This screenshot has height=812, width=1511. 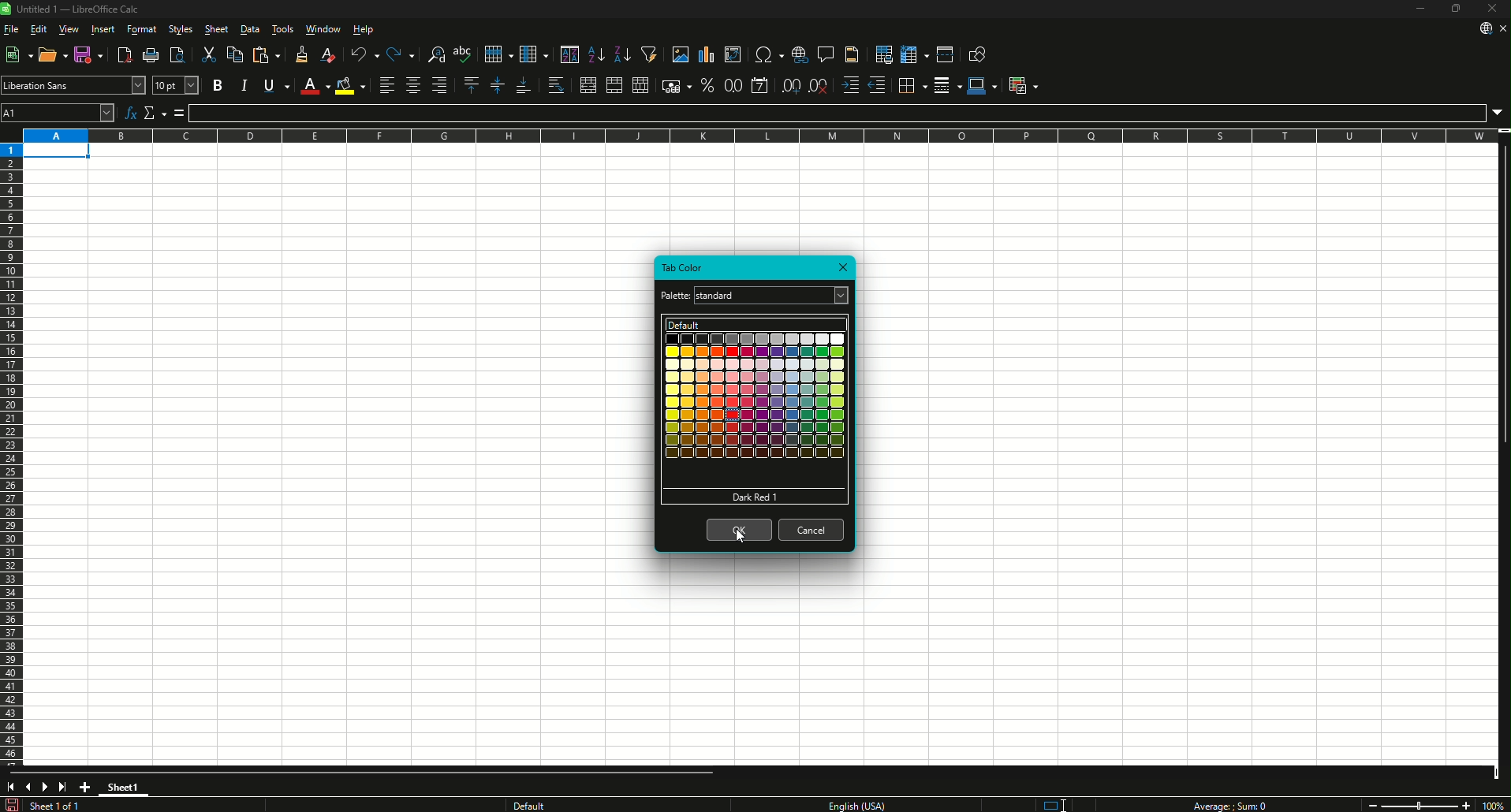 What do you see at coordinates (569, 54) in the screenshot?
I see `Sort` at bounding box center [569, 54].